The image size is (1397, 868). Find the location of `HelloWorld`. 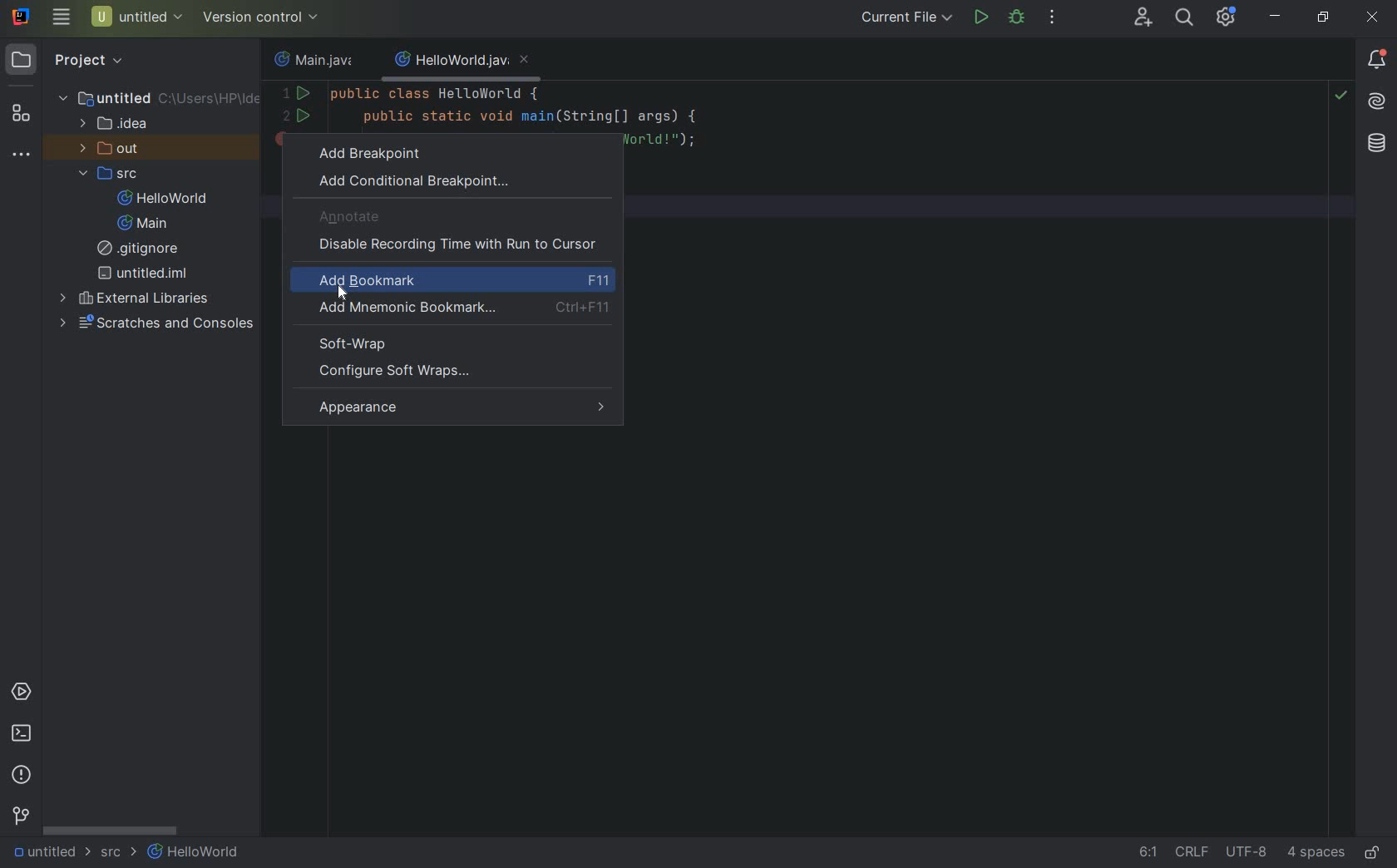

HelloWorld is located at coordinates (196, 854).